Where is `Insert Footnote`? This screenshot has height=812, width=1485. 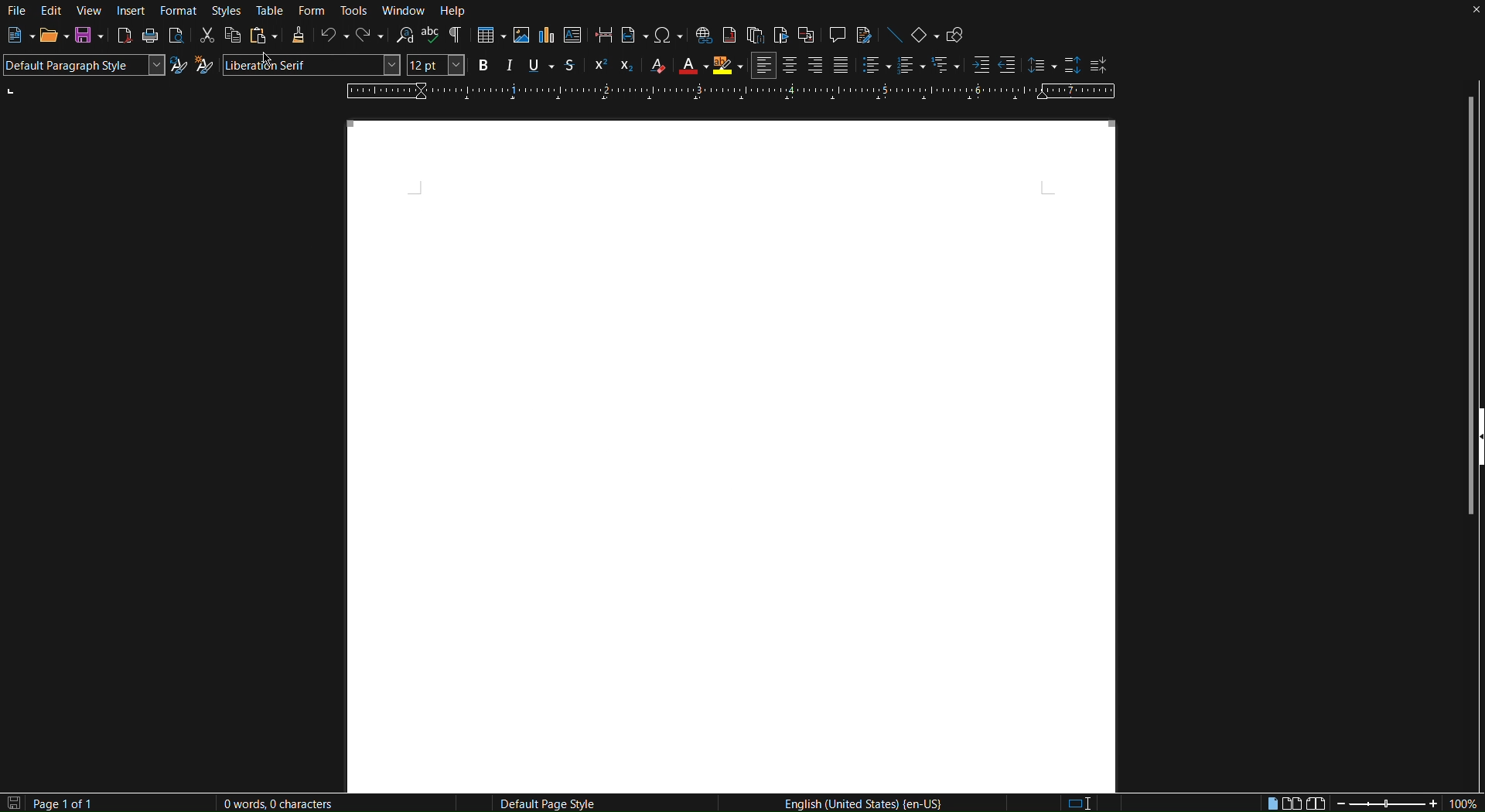 Insert Footnote is located at coordinates (730, 37).